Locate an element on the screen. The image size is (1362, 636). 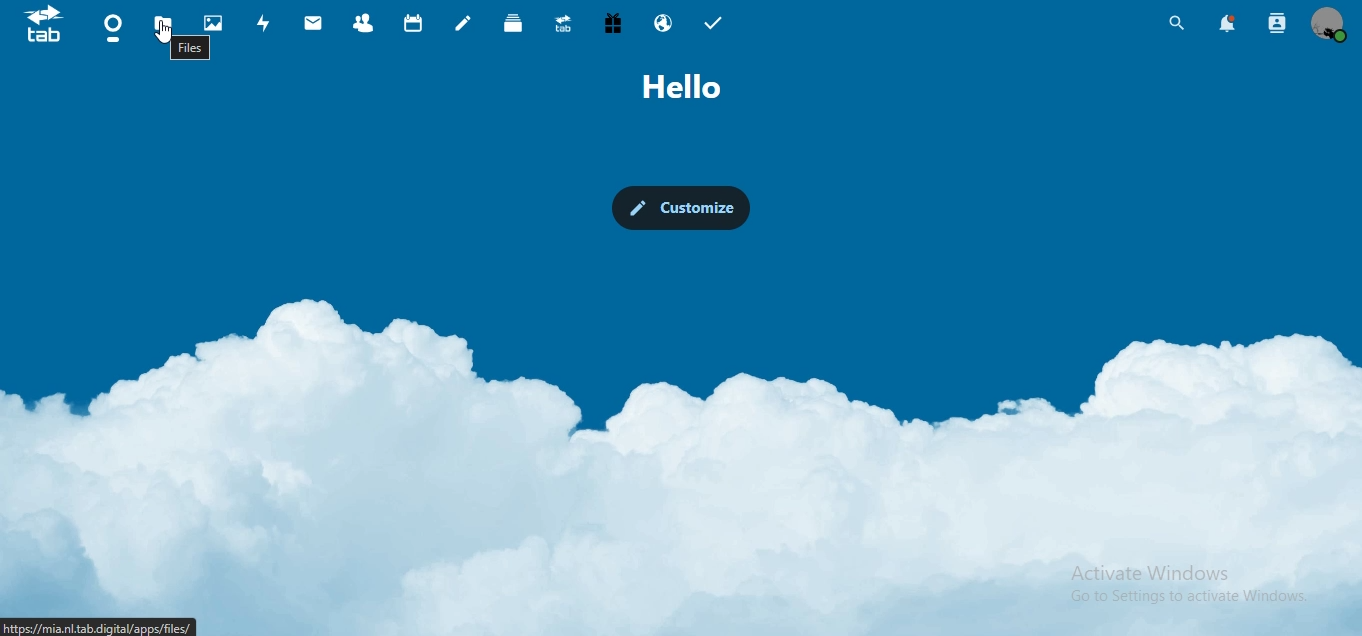
activity is located at coordinates (268, 23).